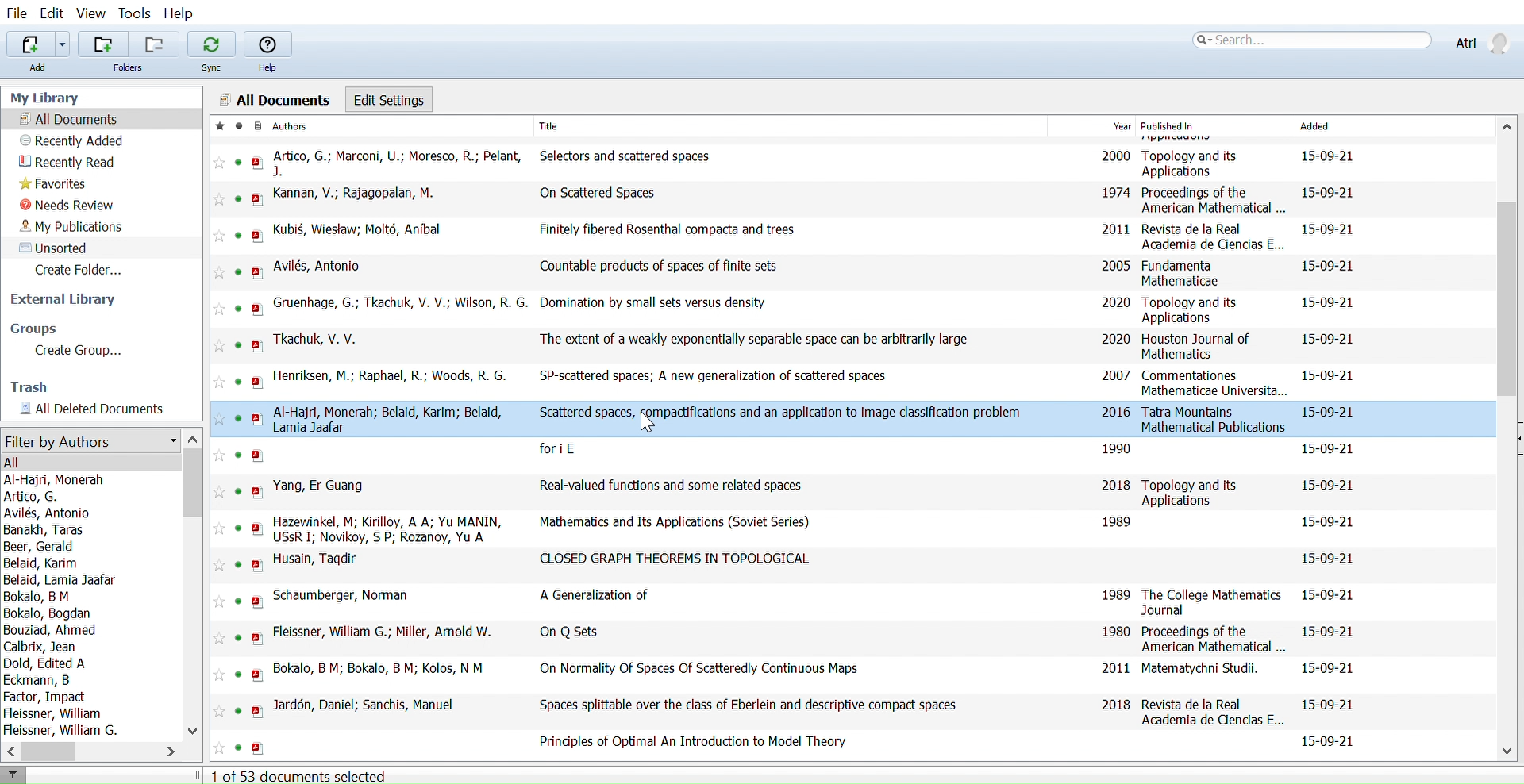 The width and height of the screenshot is (1524, 784). I want to click on Calbrix, Jean, so click(40, 648).